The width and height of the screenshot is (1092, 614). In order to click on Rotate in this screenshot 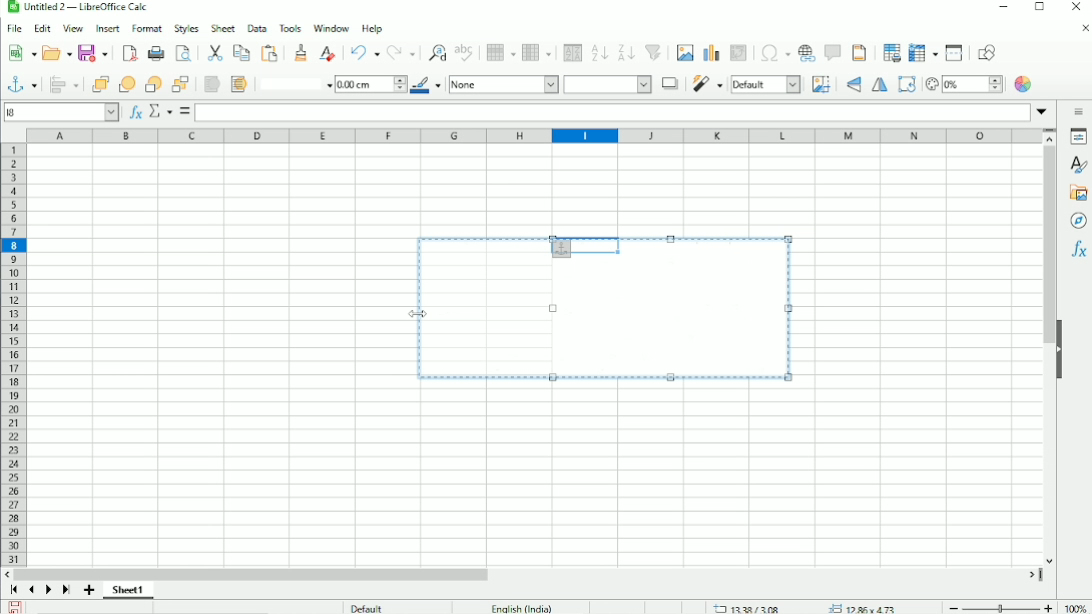, I will do `click(906, 84)`.